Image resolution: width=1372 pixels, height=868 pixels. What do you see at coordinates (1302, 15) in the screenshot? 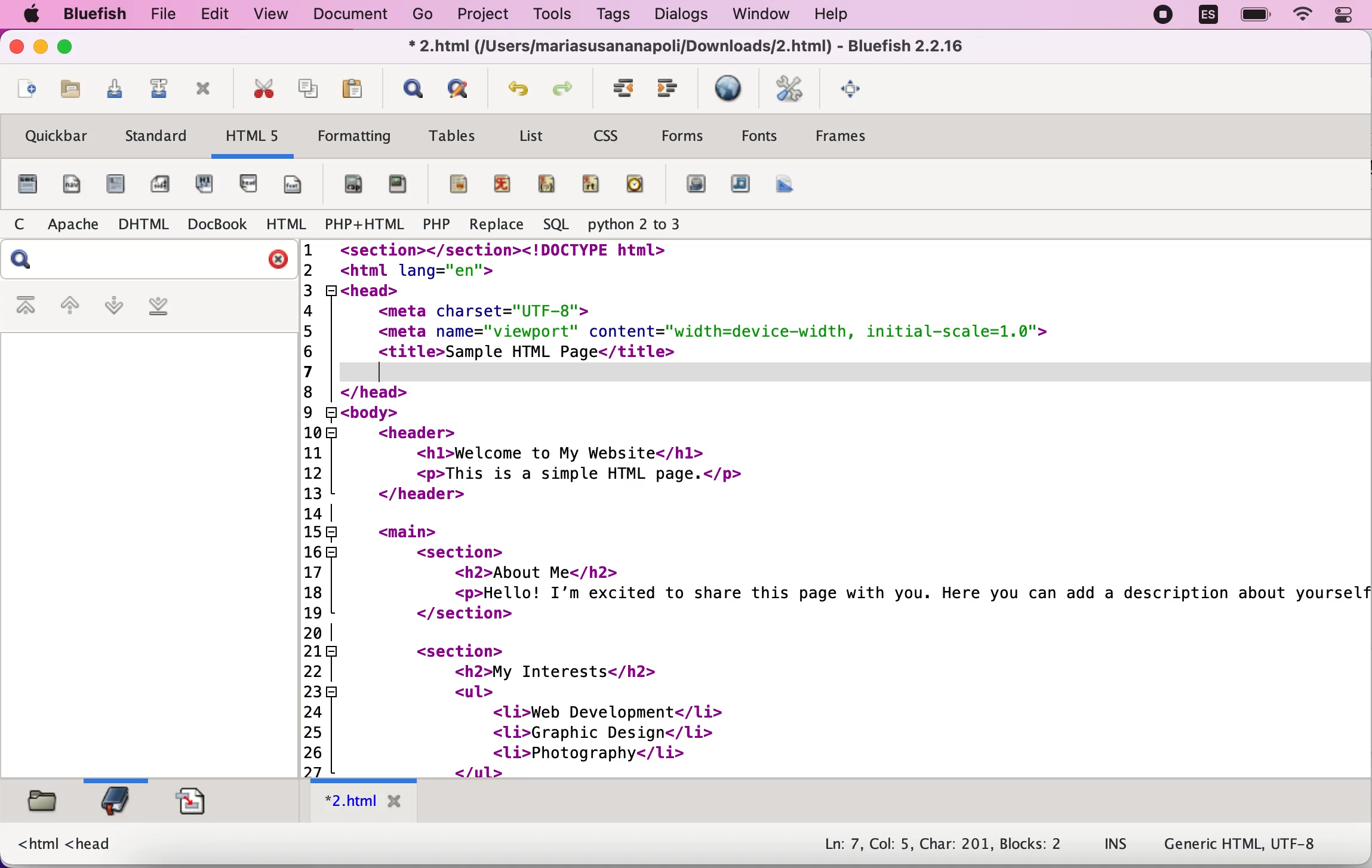
I see `wifi` at bounding box center [1302, 15].